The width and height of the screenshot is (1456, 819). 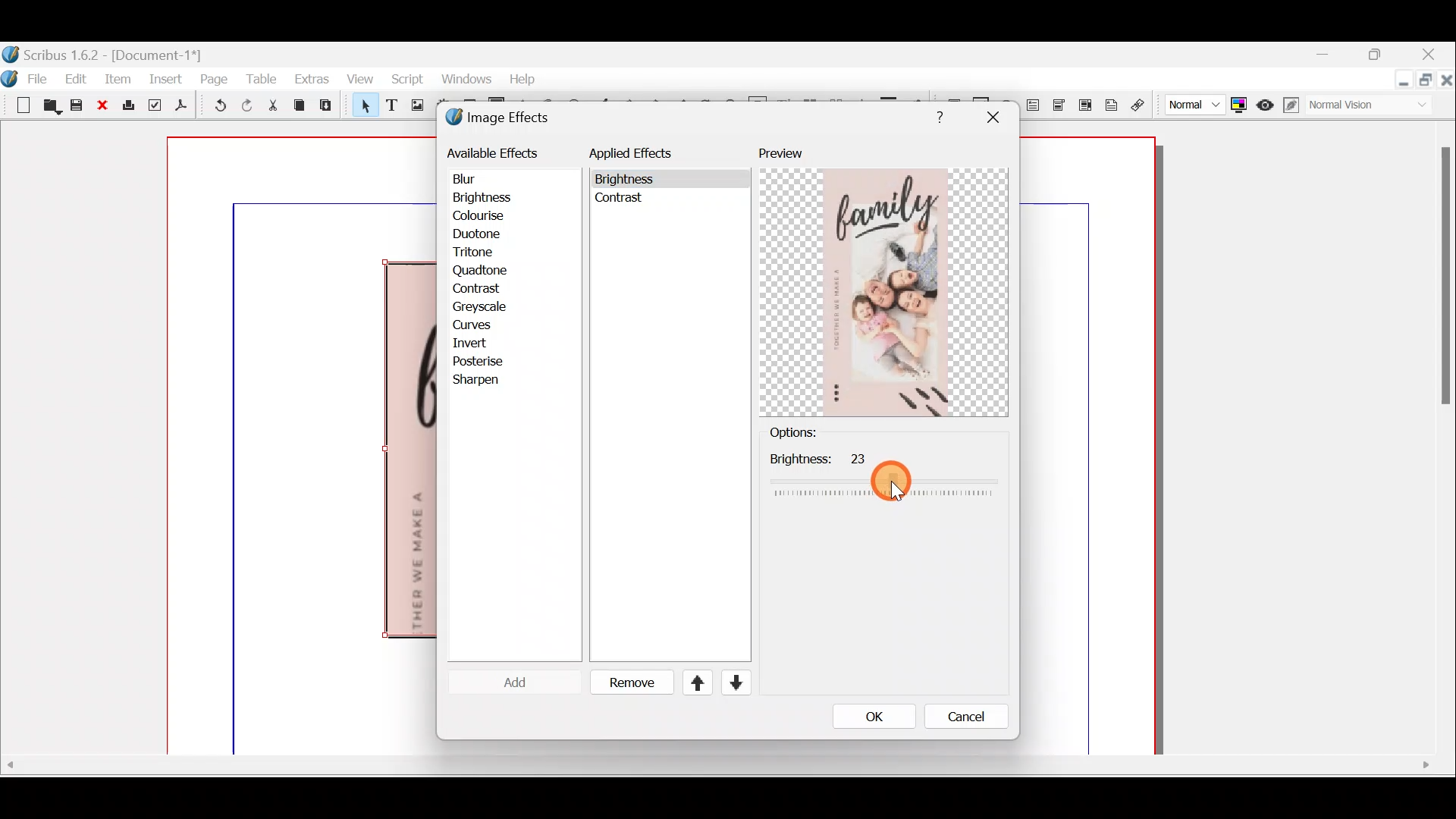 I want to click on PDF text field, so click(x=1034, y=105).